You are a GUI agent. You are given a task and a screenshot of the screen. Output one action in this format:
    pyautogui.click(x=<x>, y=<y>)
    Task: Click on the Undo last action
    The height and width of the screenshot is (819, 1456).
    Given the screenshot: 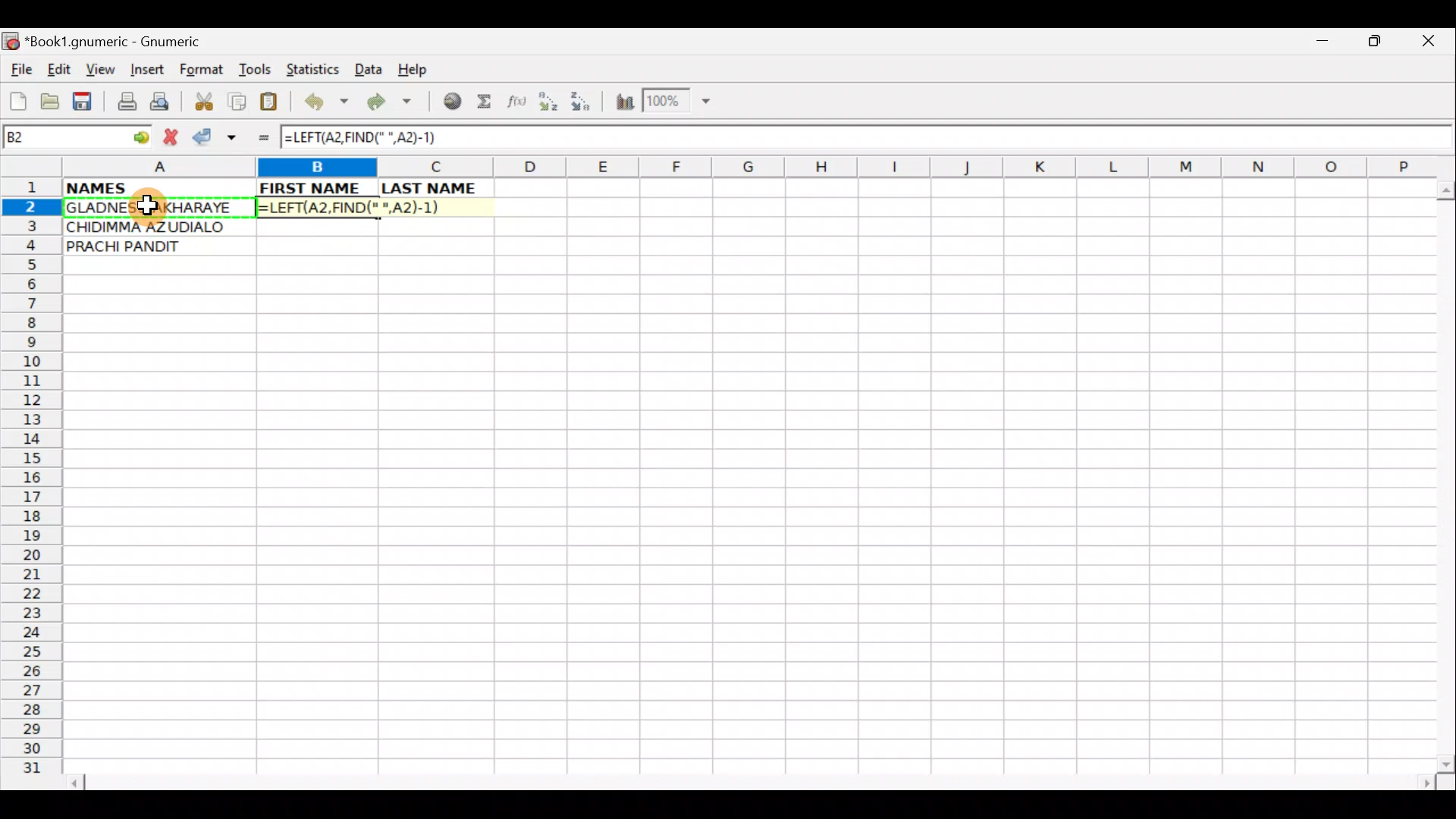 What is the action you would take?
    pyautogui.click(x=328, y=104)
    